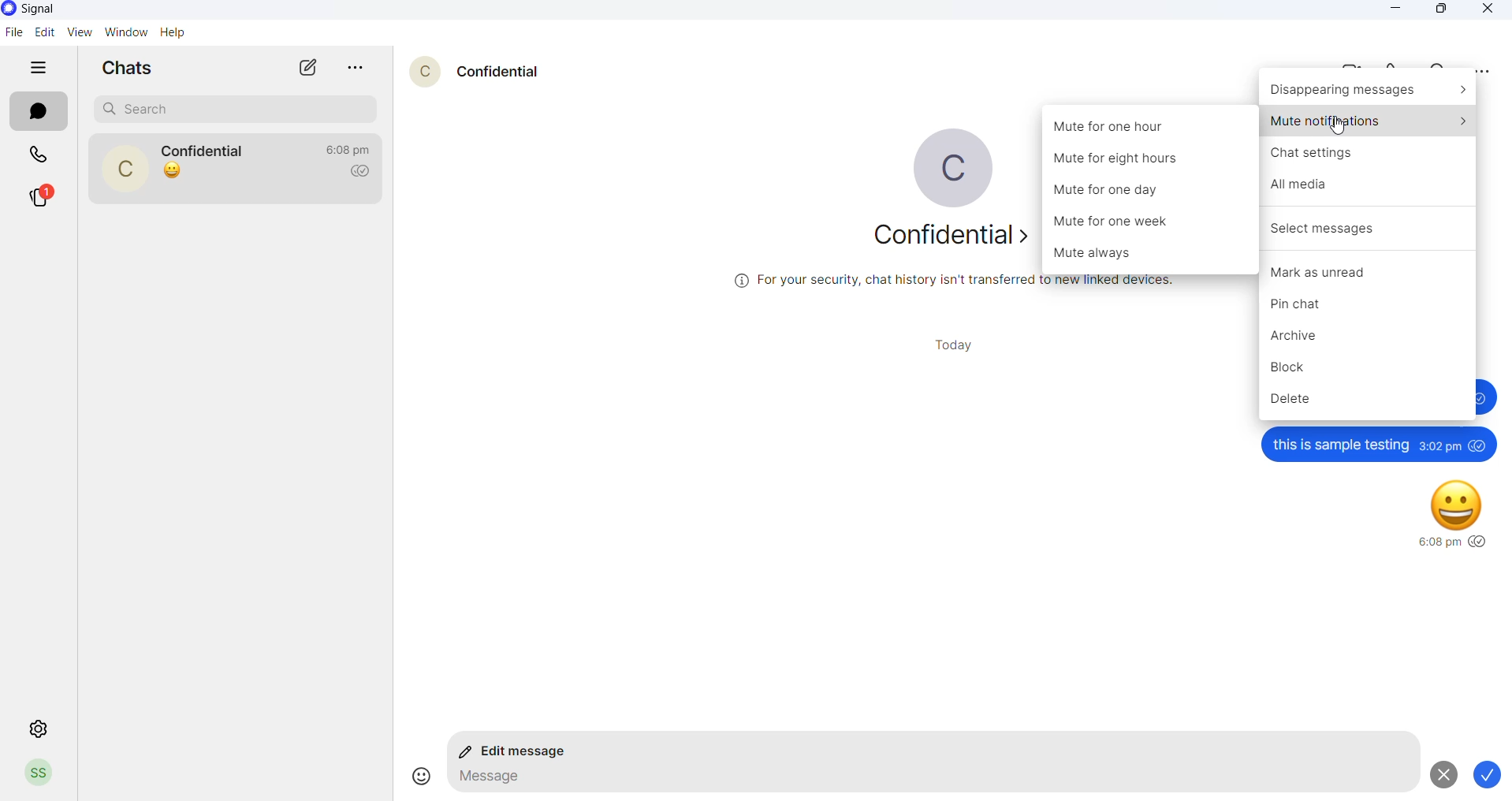  What do you see at coordinates (75, 32) in the screenshot?
I see `view` at bounding box center [75, 32].